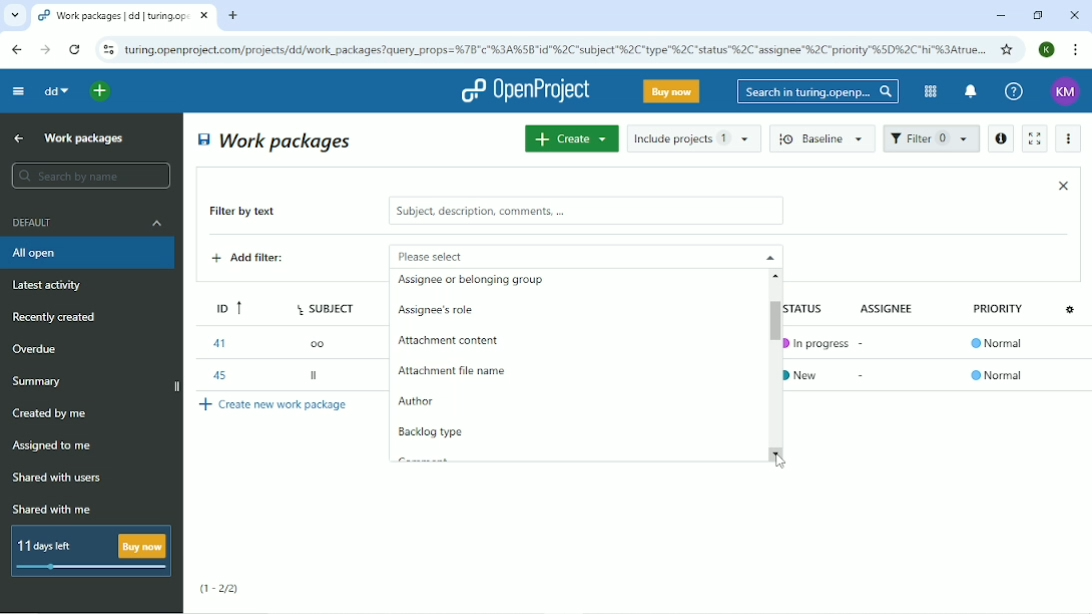 The height and width of the screenshot is (614, 1092). I want to click on New tab, so click(233, 16).